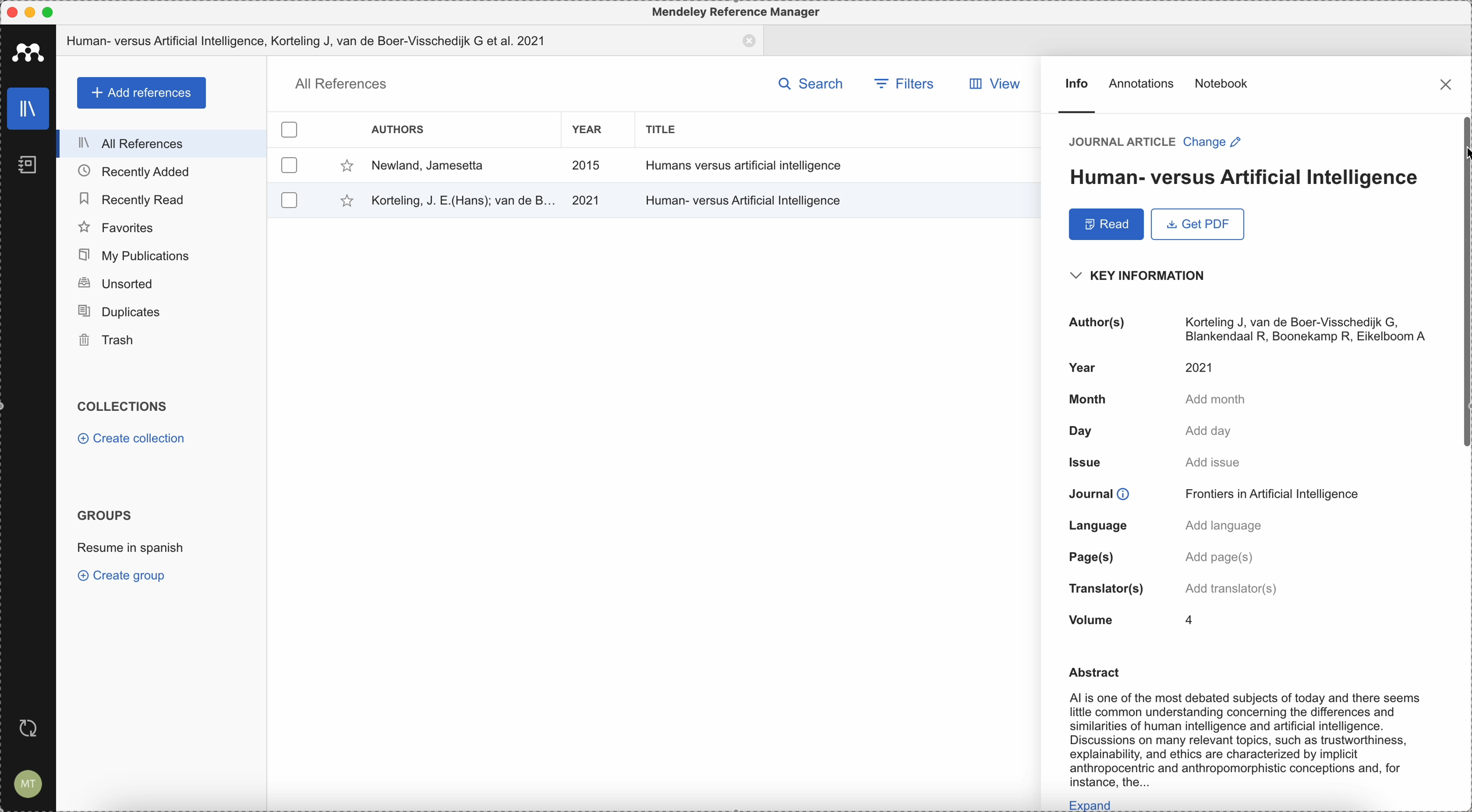 The image size is (1472, 812). What do you see at coordinates (1119, 142) in the screenshot?
I see `journal article` at bounding box center [1119, 142].